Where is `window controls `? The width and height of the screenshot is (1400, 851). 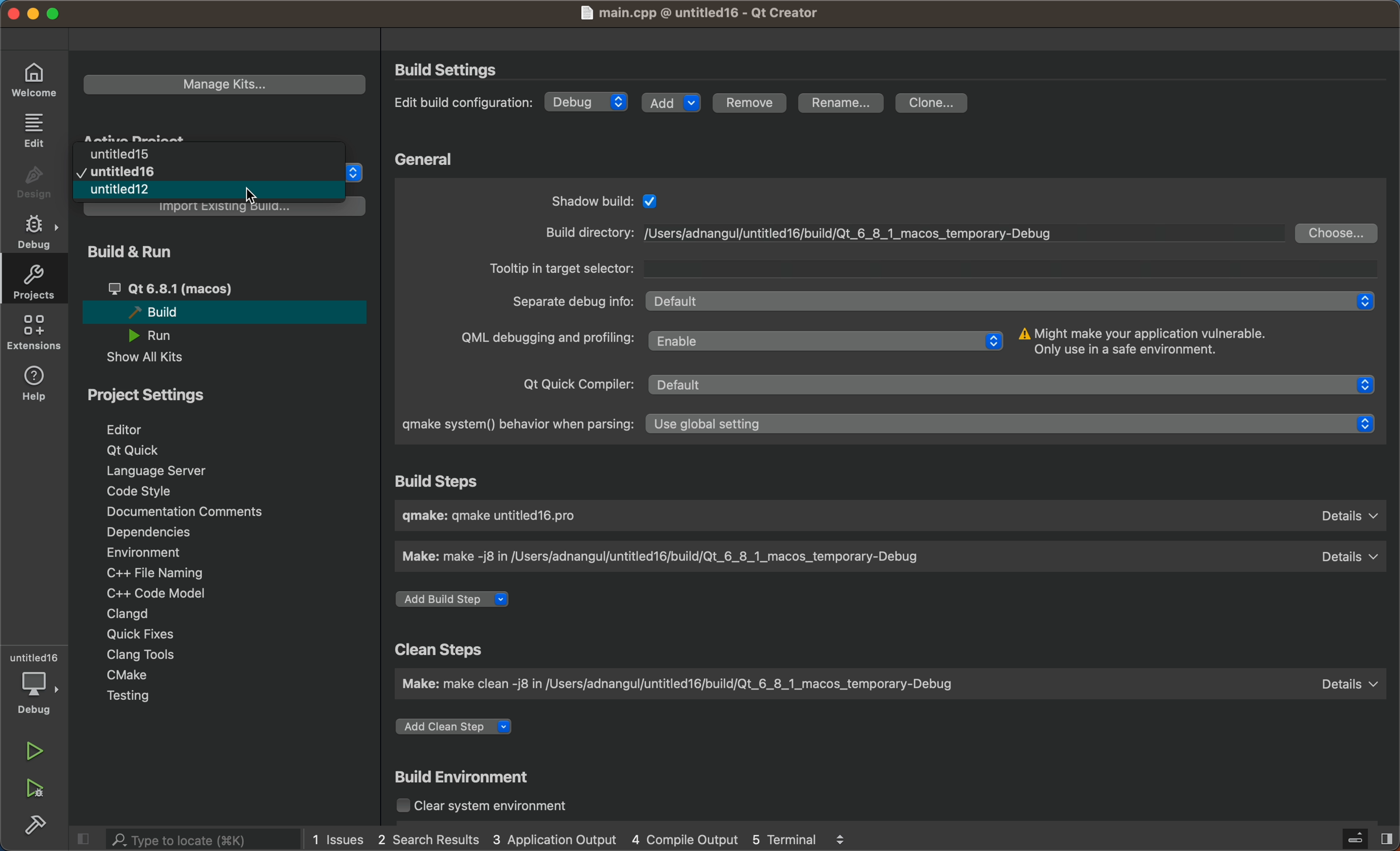
window controls  is located at coordinates (44, 14).